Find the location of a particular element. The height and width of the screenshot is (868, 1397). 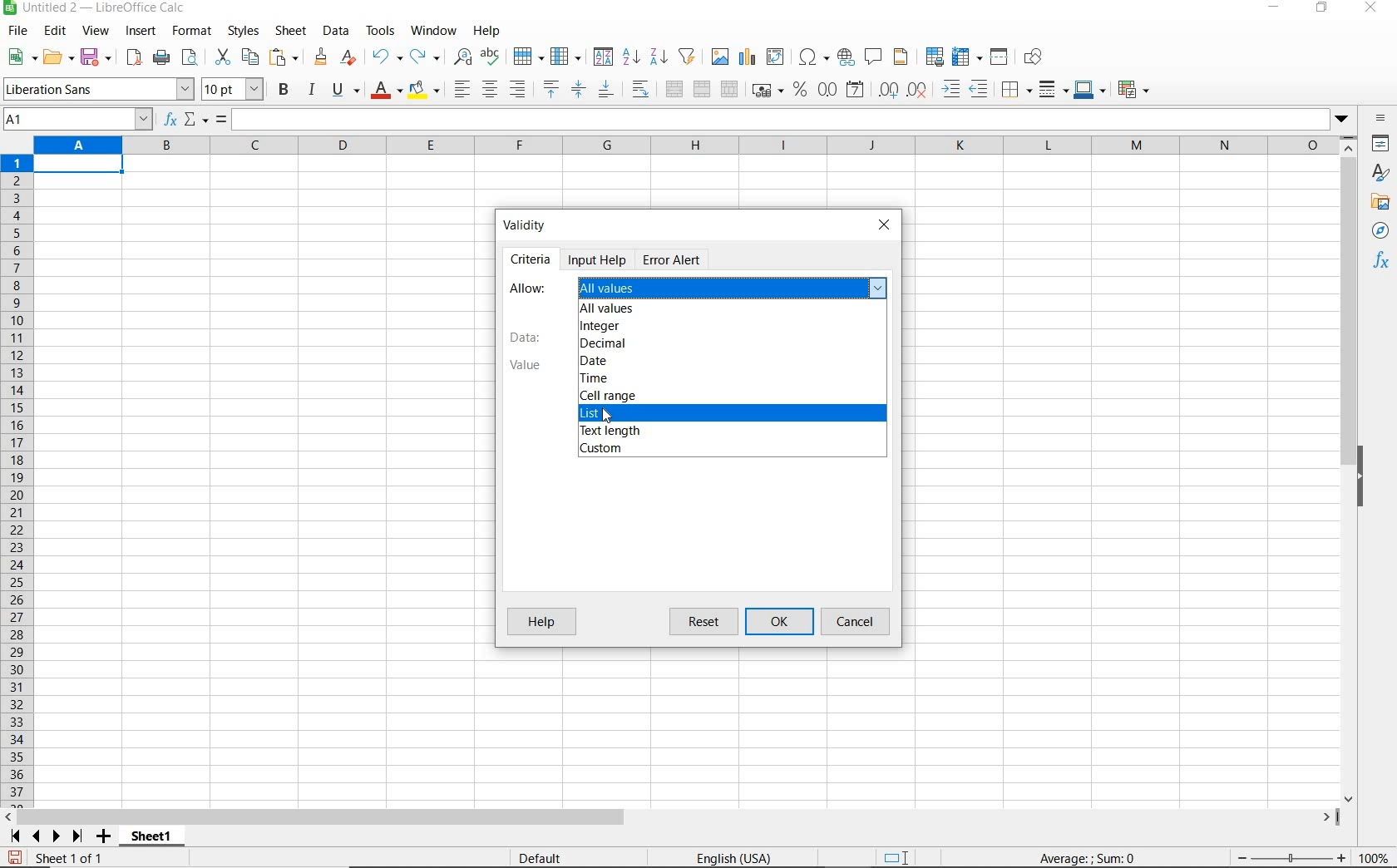

spelling is located at coordinates (492, 57).